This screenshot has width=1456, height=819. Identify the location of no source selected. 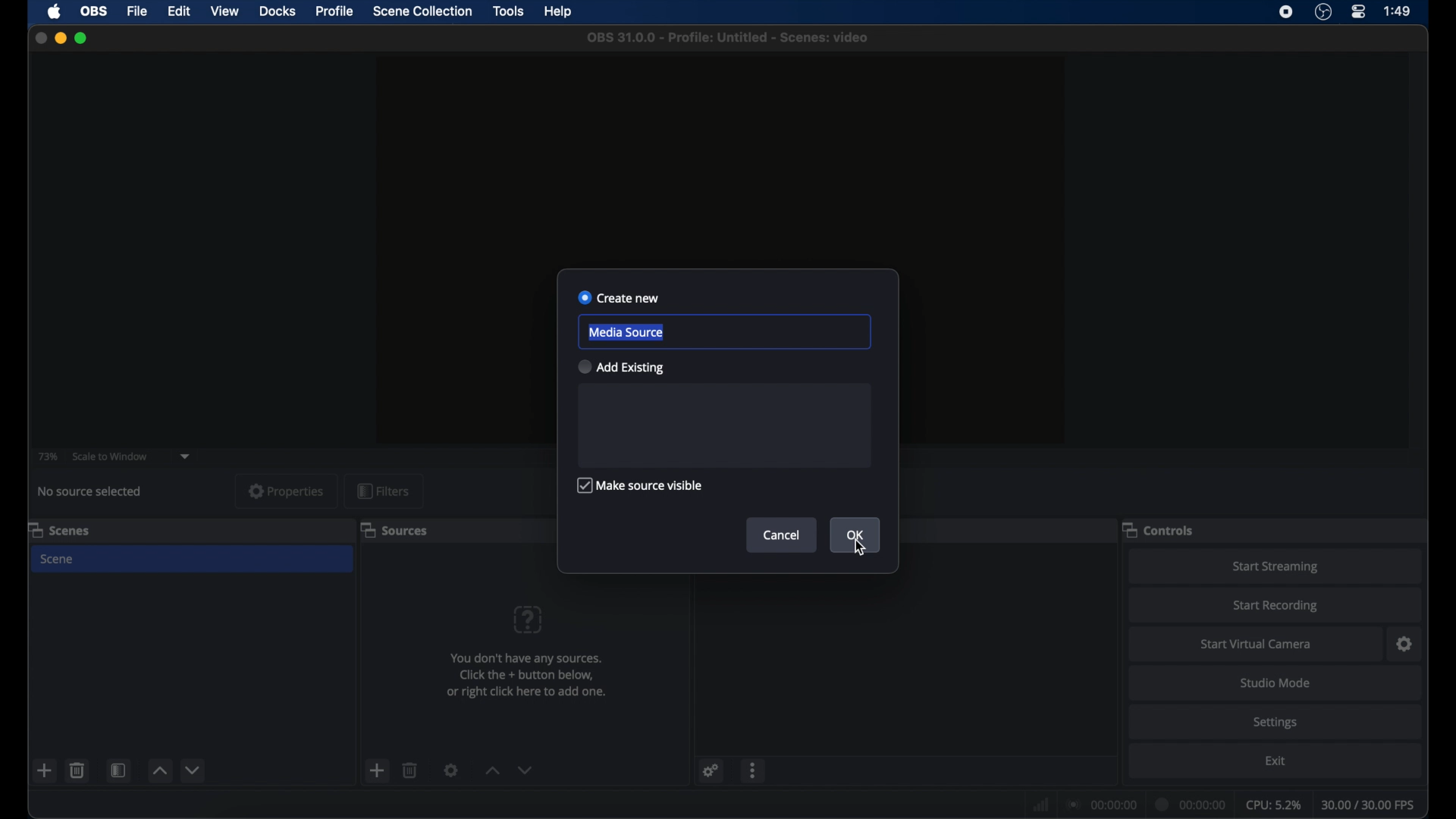
(90, 492).